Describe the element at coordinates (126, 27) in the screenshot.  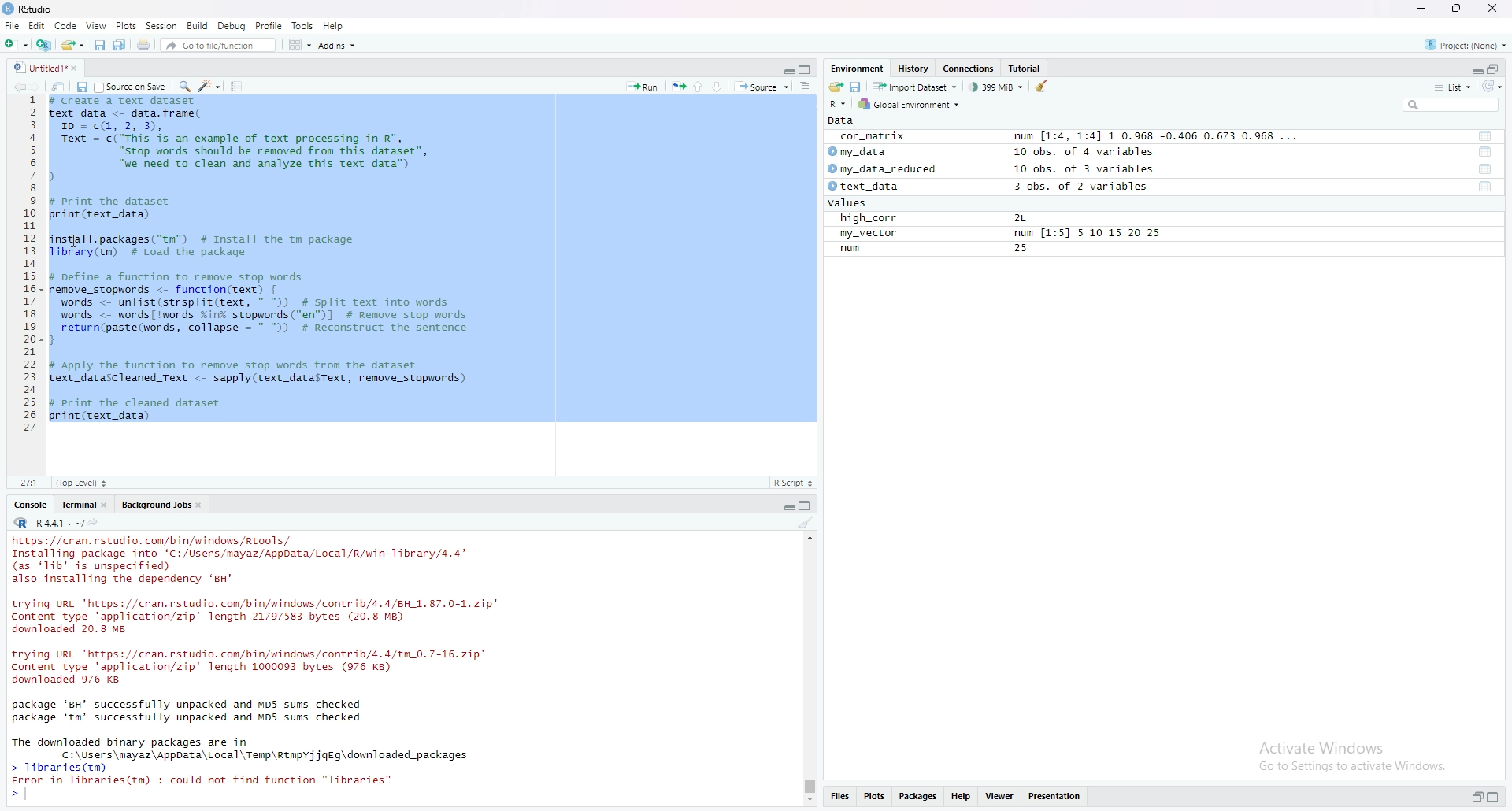
I see `plots` at that location.